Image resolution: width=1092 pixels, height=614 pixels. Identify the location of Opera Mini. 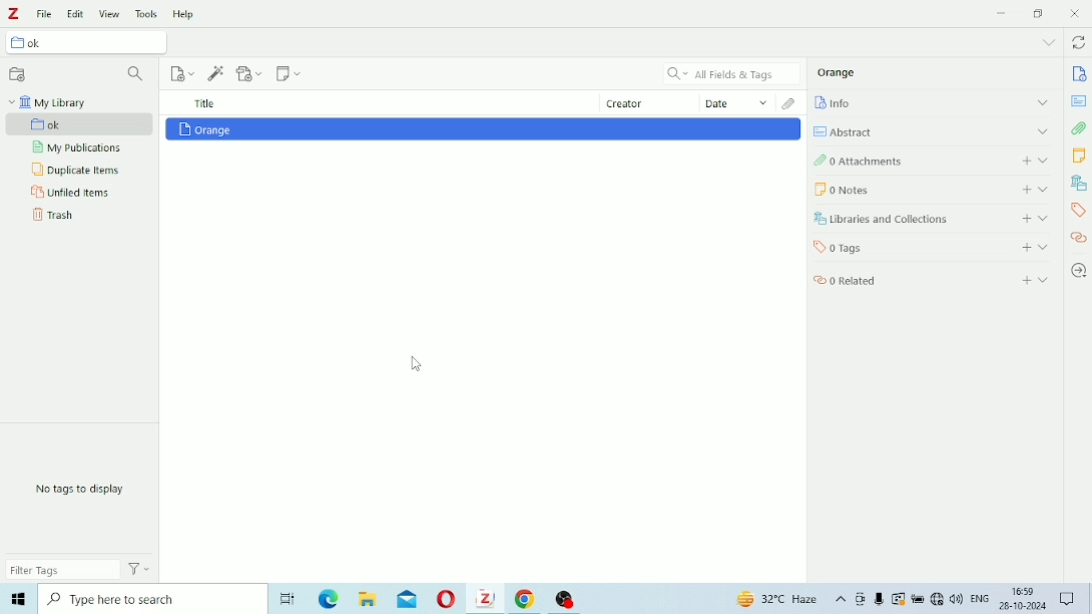
(447, 600).